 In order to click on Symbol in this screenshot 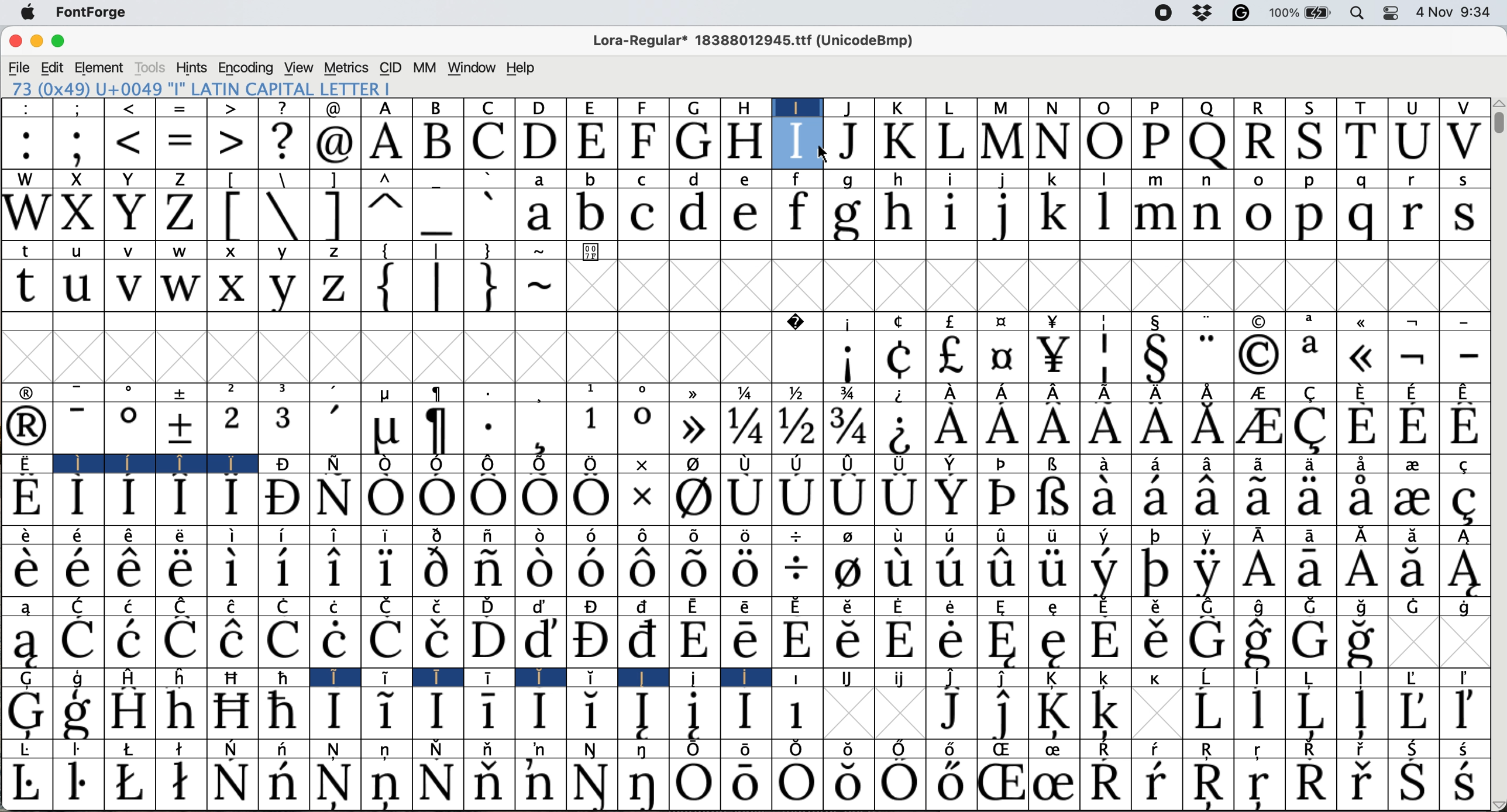, I will do `click(847, 572)`.